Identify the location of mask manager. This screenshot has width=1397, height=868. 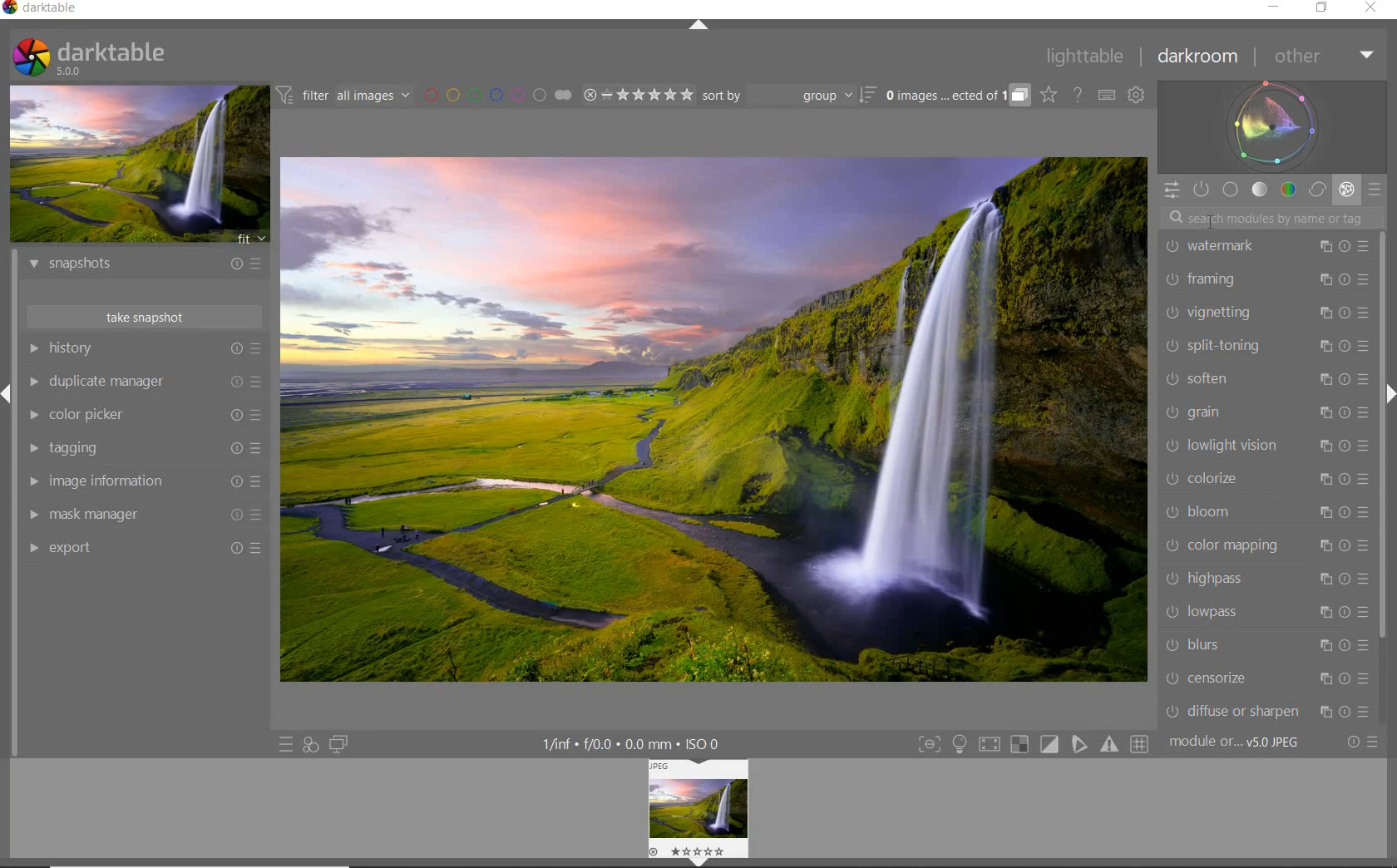
(146, 515).